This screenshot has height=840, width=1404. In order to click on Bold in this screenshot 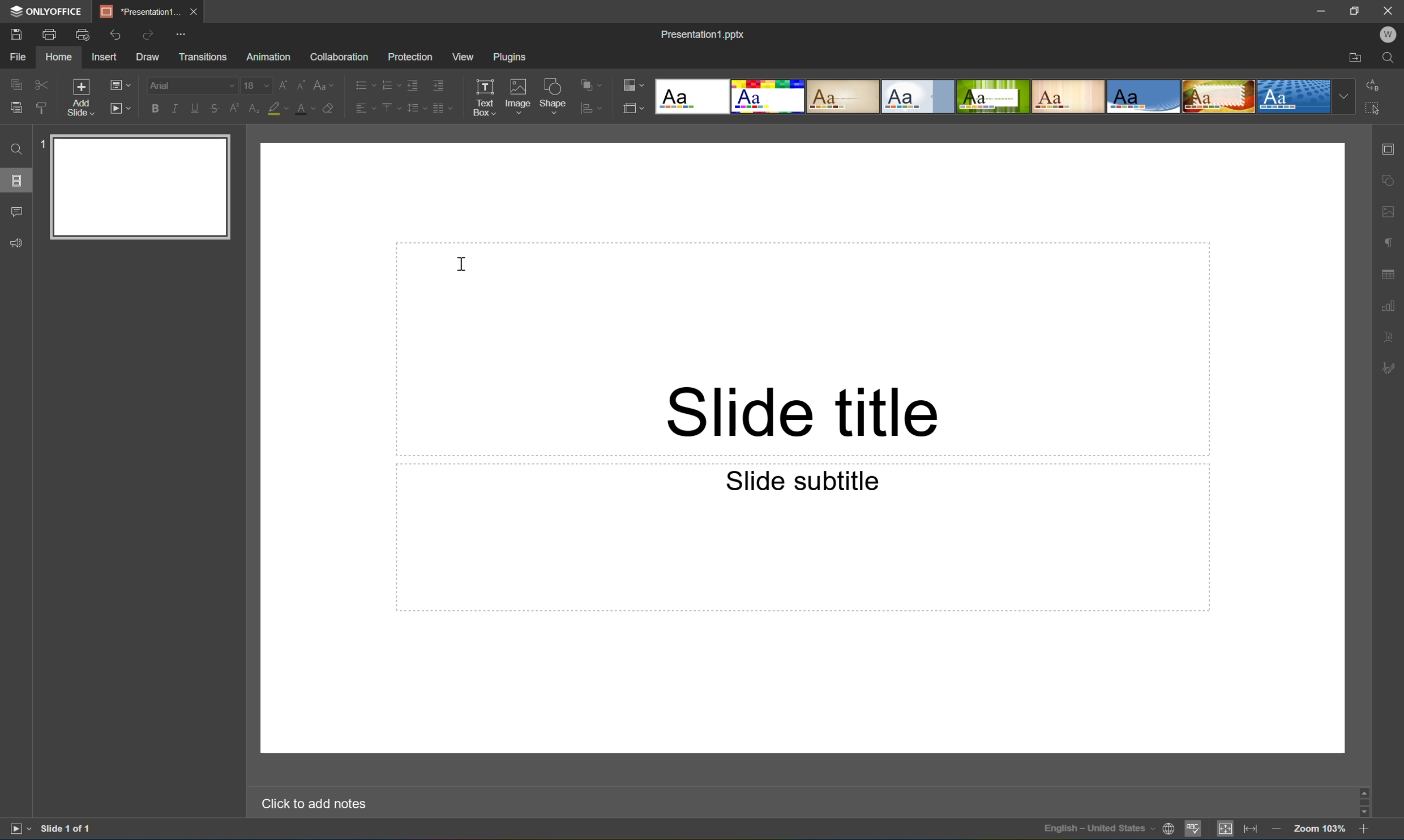, I will do `click(156, 109)`.